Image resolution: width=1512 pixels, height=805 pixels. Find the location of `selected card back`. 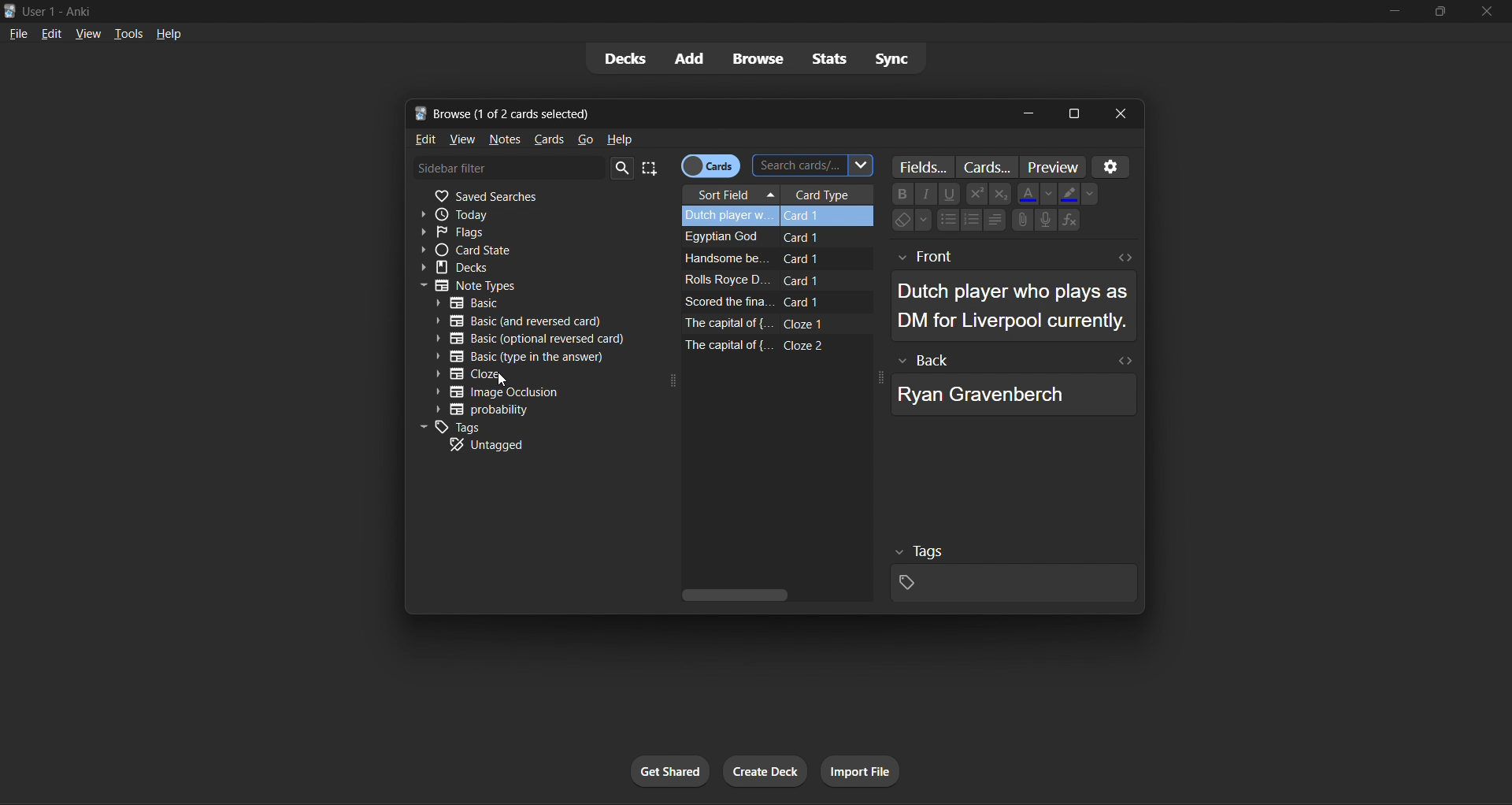

selected card back is located at coordinates (1013, 383).